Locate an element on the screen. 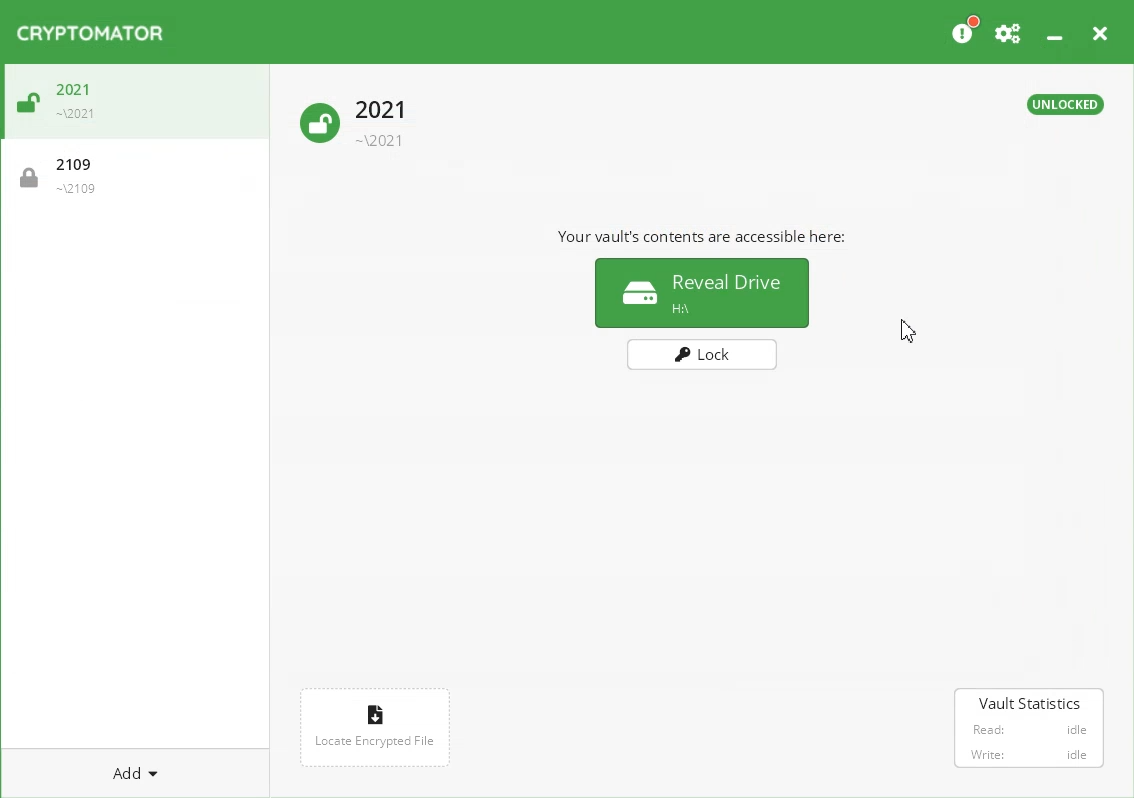 The width and height of the screenshot is (1134, 798). Please consider donating is located at coordinates (964, 32).